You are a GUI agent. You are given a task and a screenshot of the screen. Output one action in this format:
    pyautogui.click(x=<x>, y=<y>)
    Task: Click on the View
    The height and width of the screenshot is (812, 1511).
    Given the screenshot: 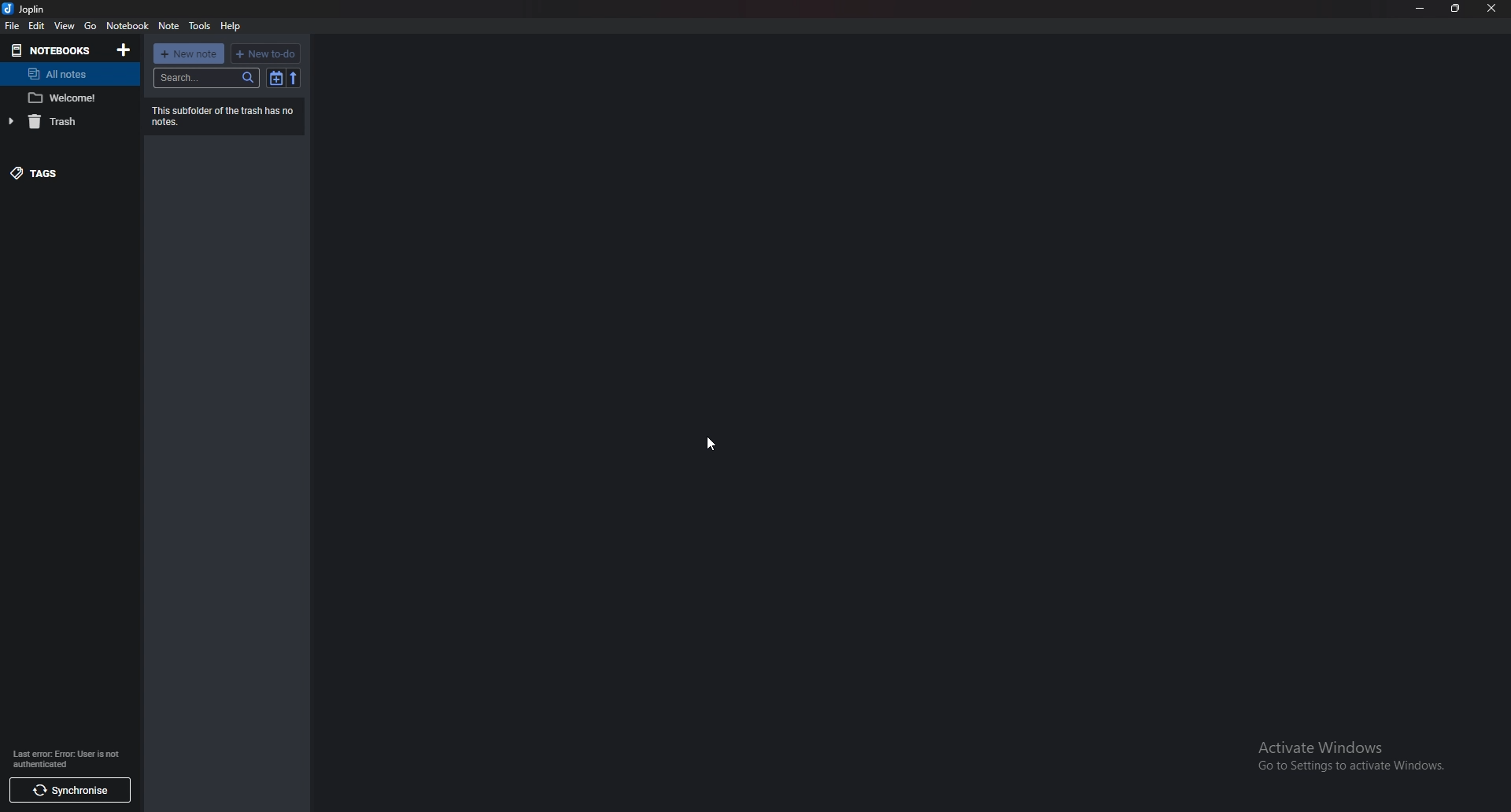 What is the action you would take?
    pyautogui.click(x=65, y=25)
    